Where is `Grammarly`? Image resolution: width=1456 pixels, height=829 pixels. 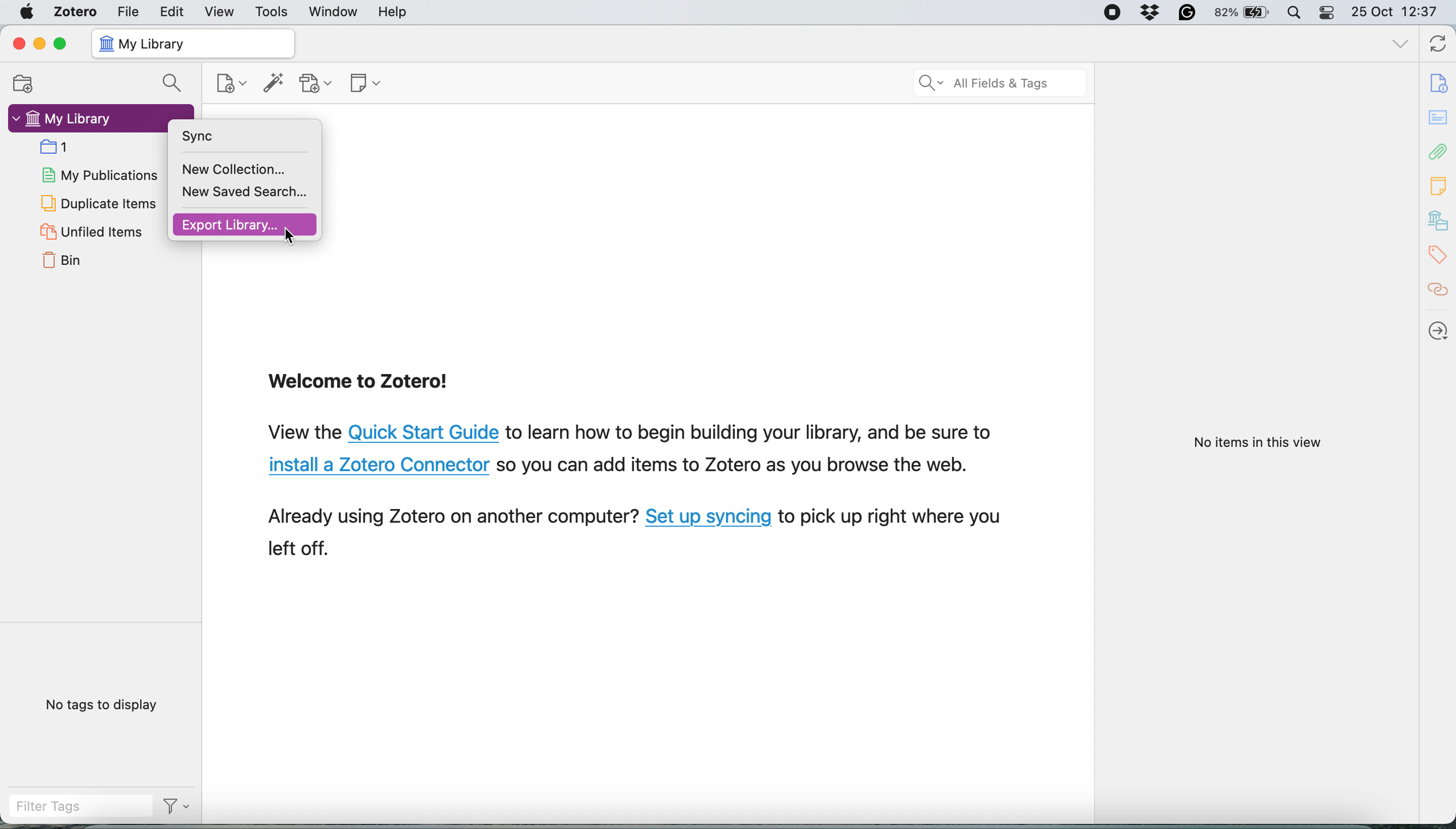 Grammarly is located at coordinates (1185, 12).